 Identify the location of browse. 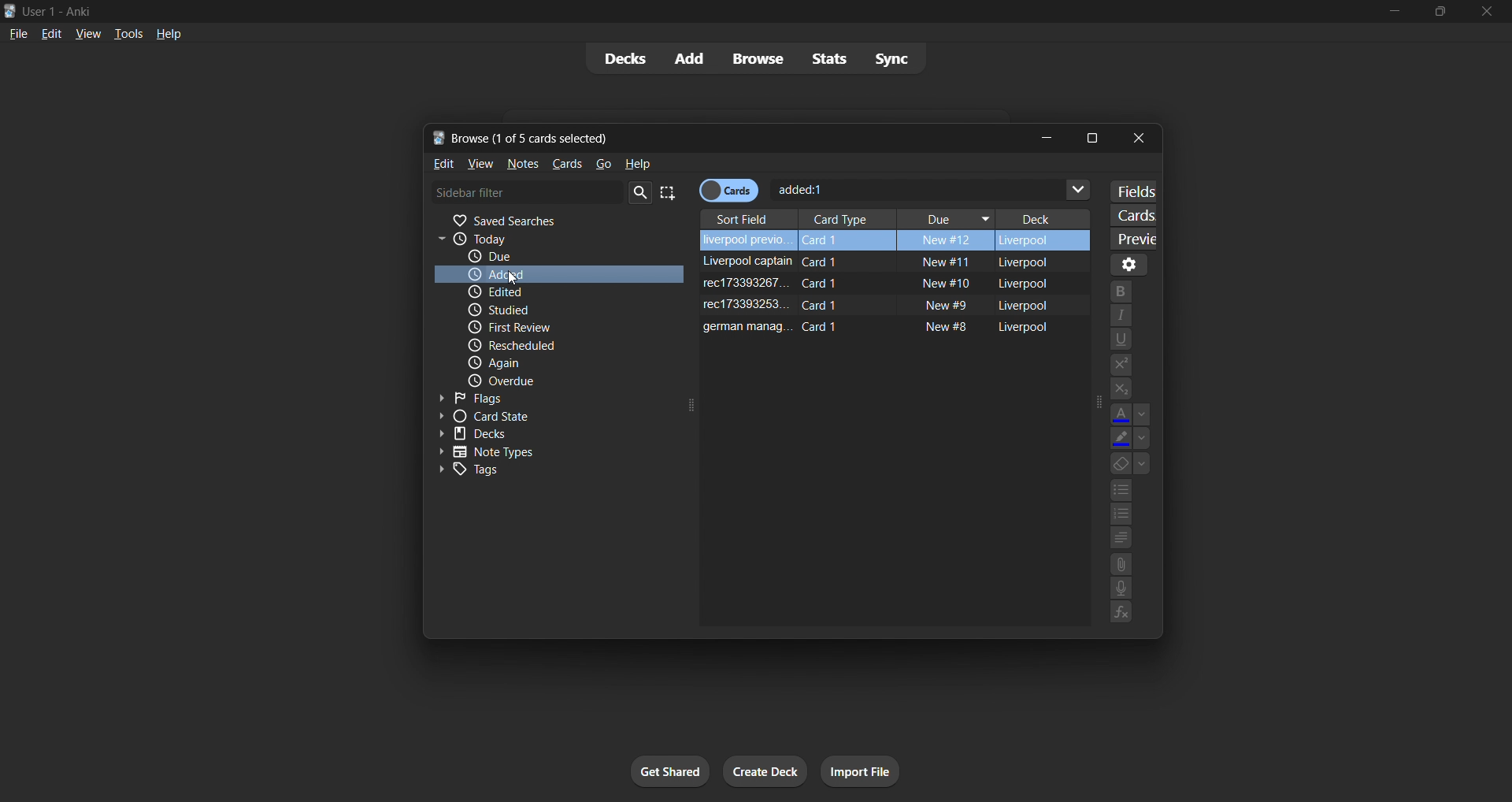
(754, 58).